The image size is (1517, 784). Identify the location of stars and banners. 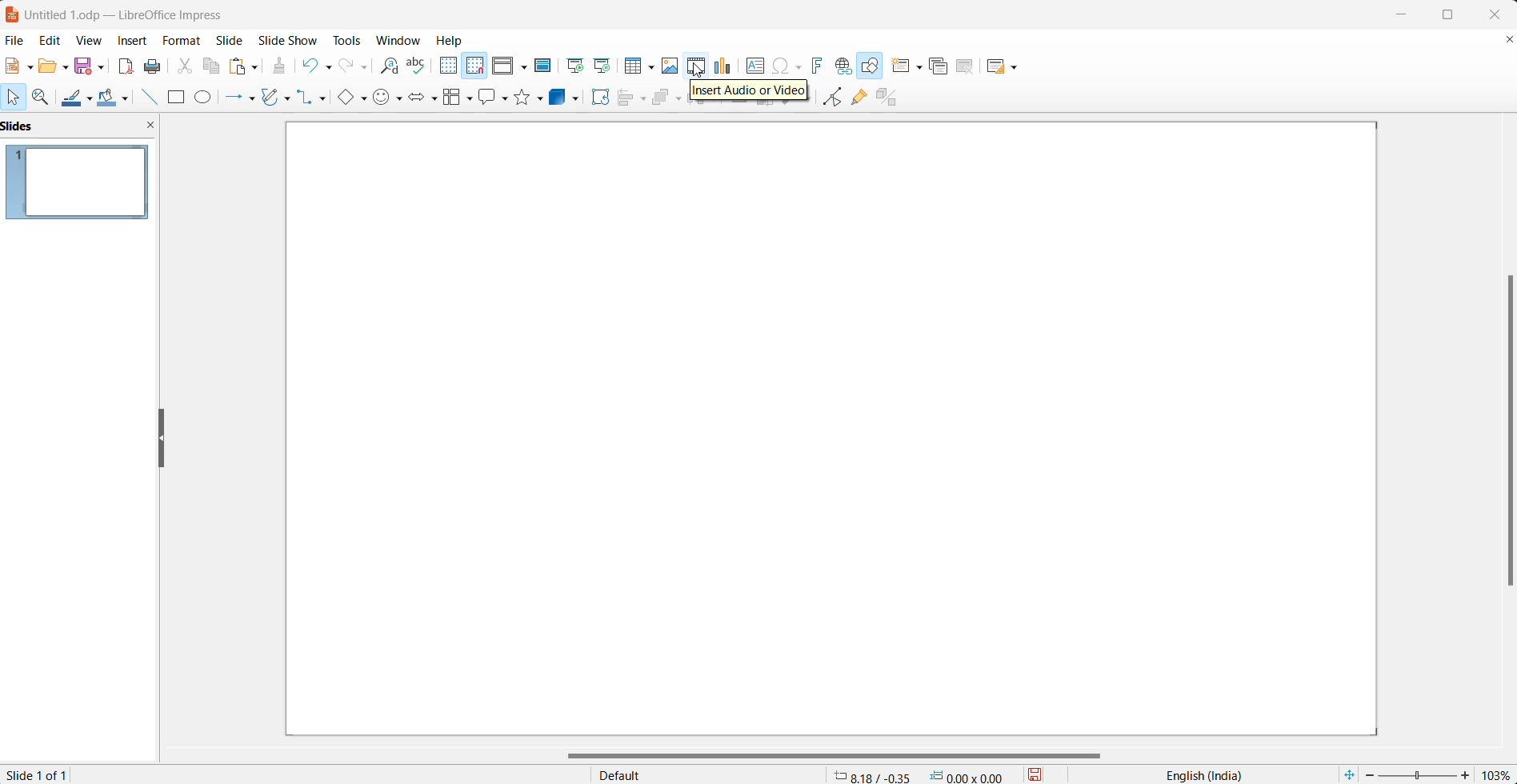
(522, 97).